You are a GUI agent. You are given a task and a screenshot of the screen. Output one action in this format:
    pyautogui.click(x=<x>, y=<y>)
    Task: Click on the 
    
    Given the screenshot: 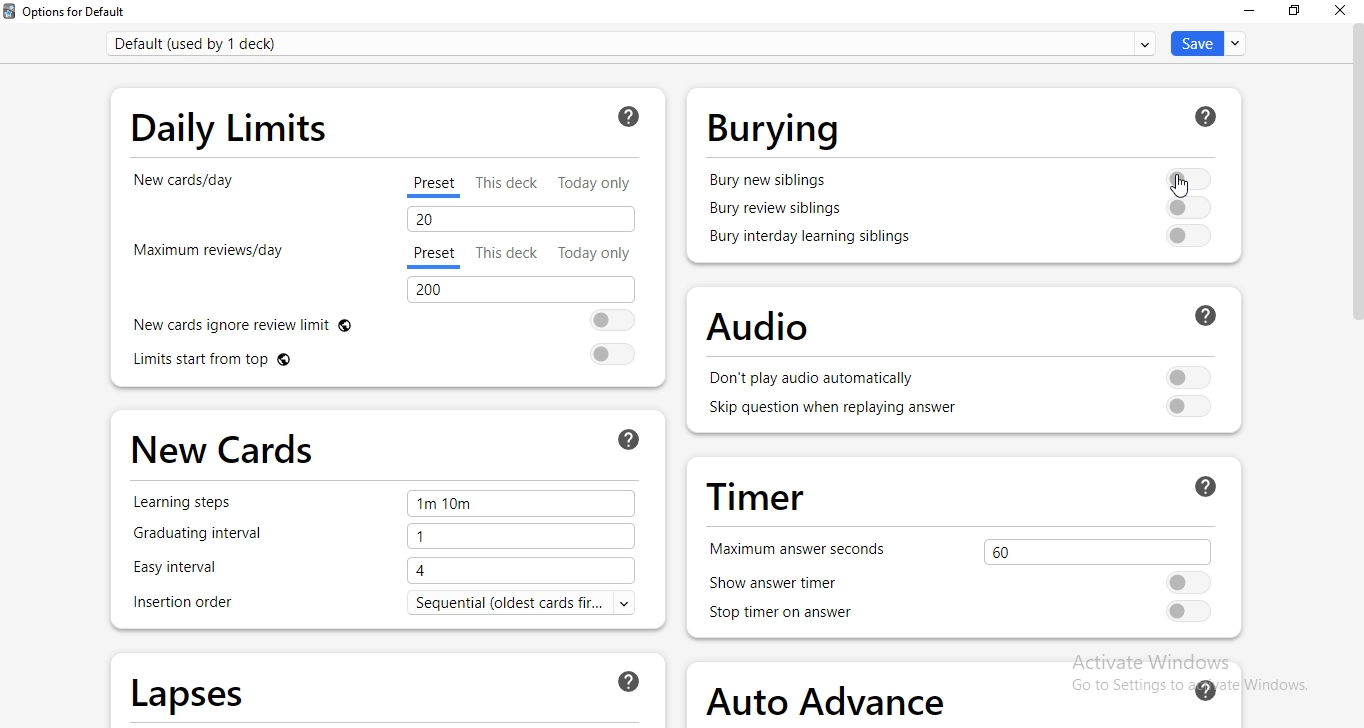 What is the action you would take?
    pyautogui.click(x=1207, y=116)
    